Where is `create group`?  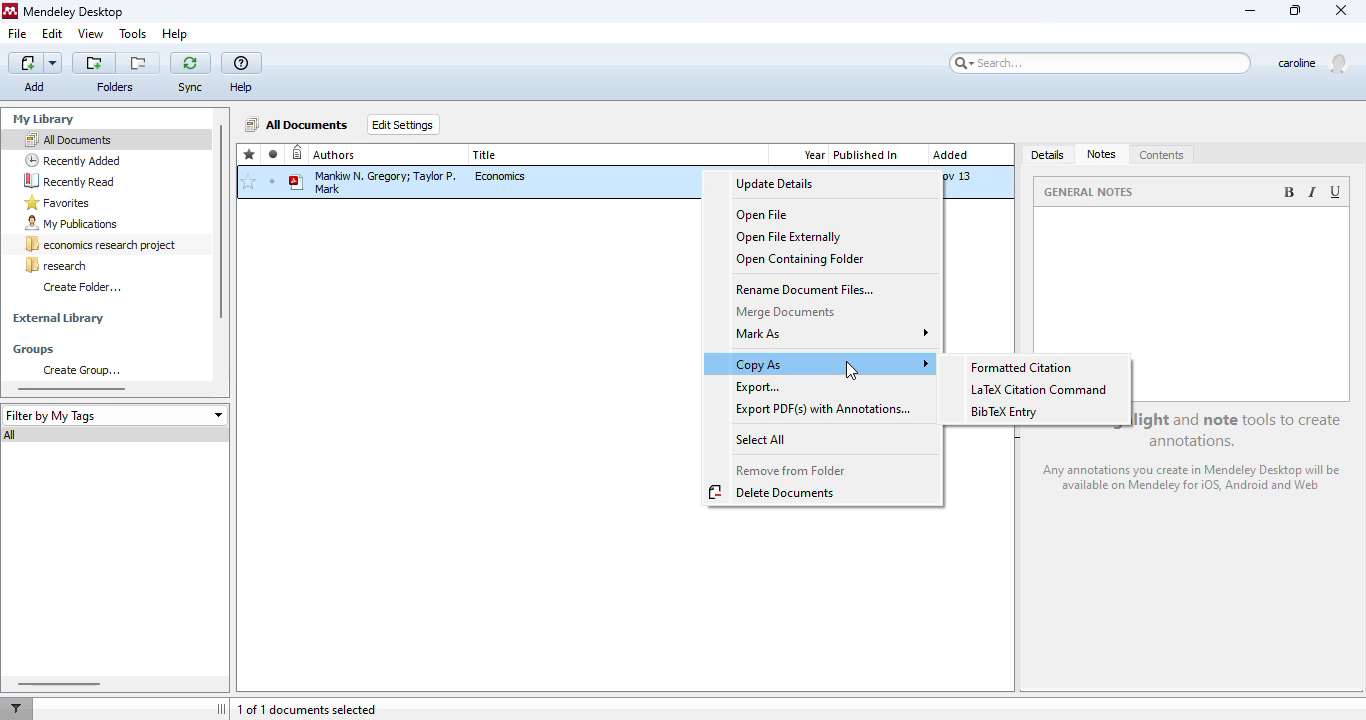 create group is located at coordinates (81, 370).